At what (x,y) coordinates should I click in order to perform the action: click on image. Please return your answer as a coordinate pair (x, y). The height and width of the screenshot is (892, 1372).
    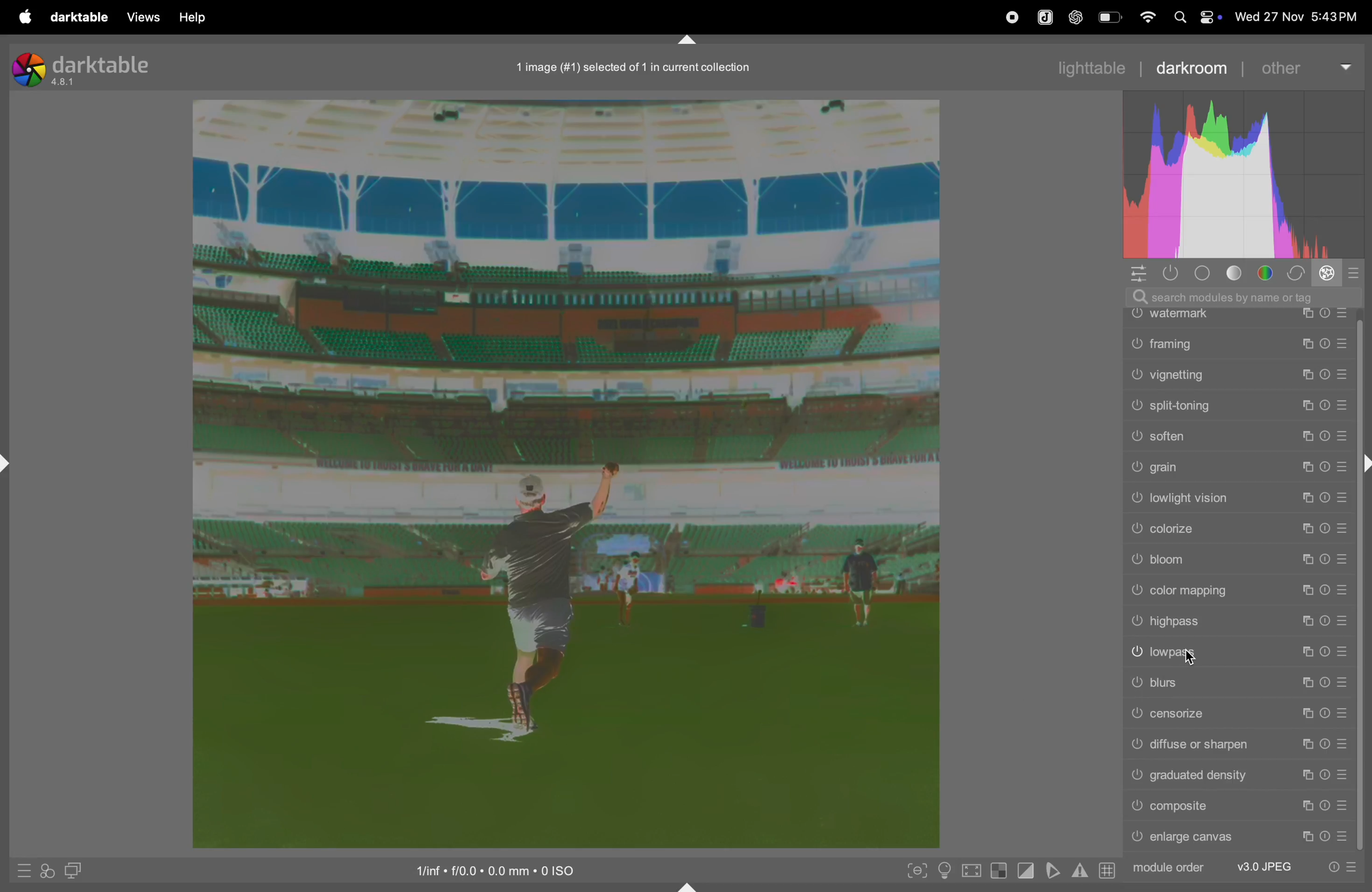
    Looking at the image, I should click on (564, 474).